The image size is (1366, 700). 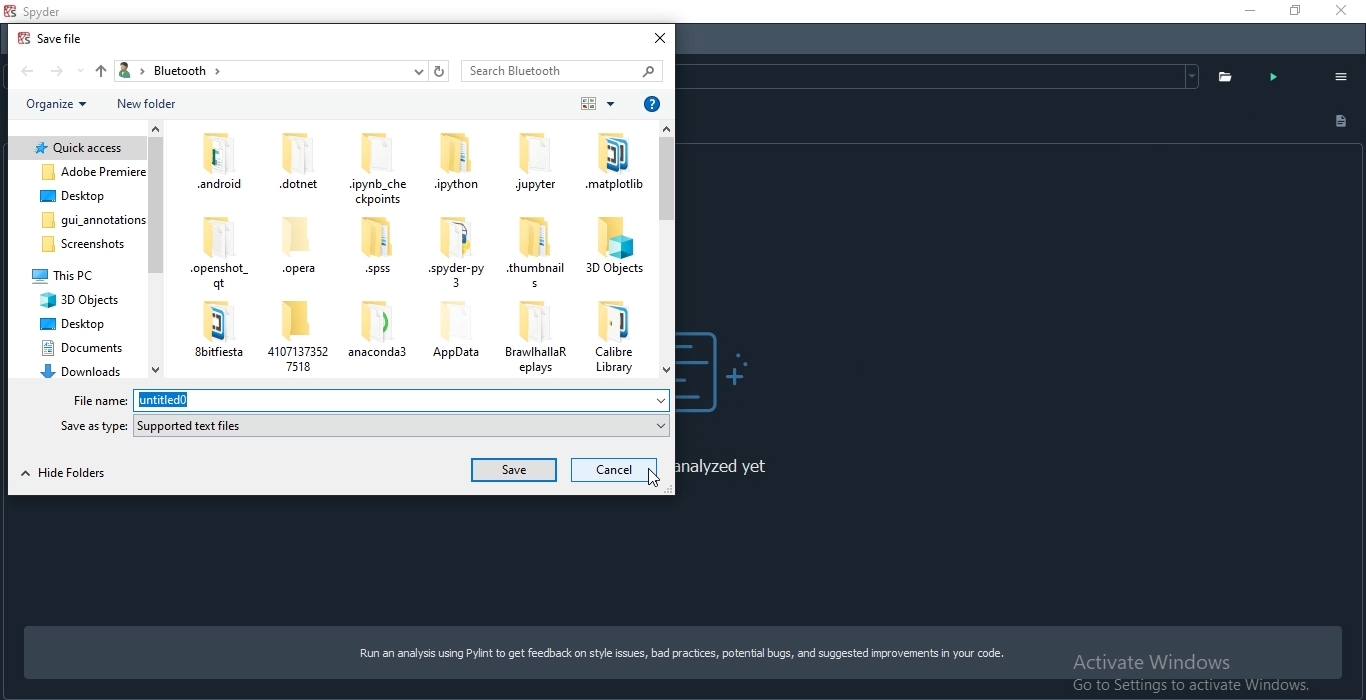 What do you see at coordinates (598, 103) in the screenshot?
I see `order` at bounding box center [598, 103].